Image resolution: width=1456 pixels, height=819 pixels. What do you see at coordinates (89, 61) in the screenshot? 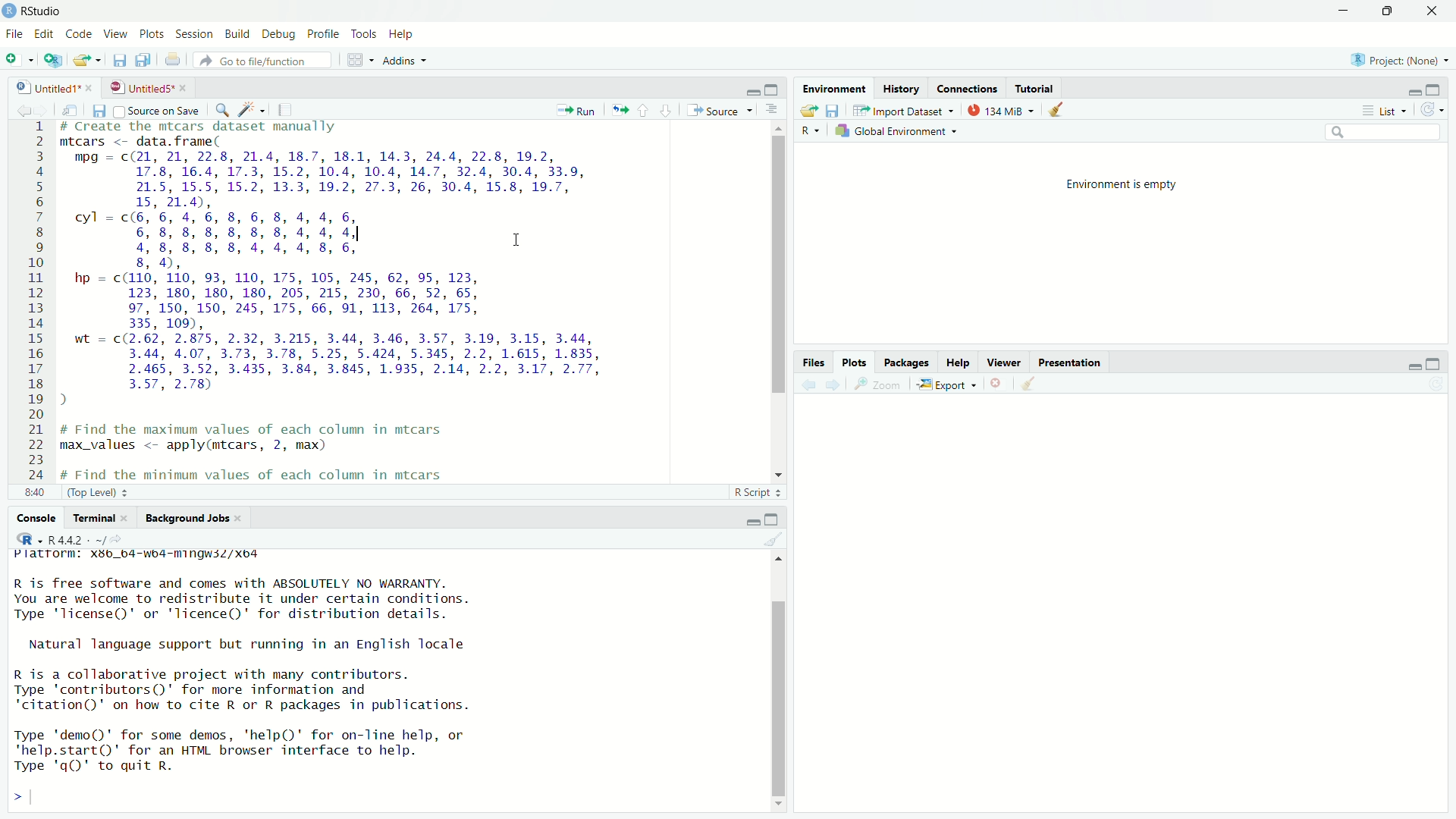
I see `move` at bounding box center [89, 61].